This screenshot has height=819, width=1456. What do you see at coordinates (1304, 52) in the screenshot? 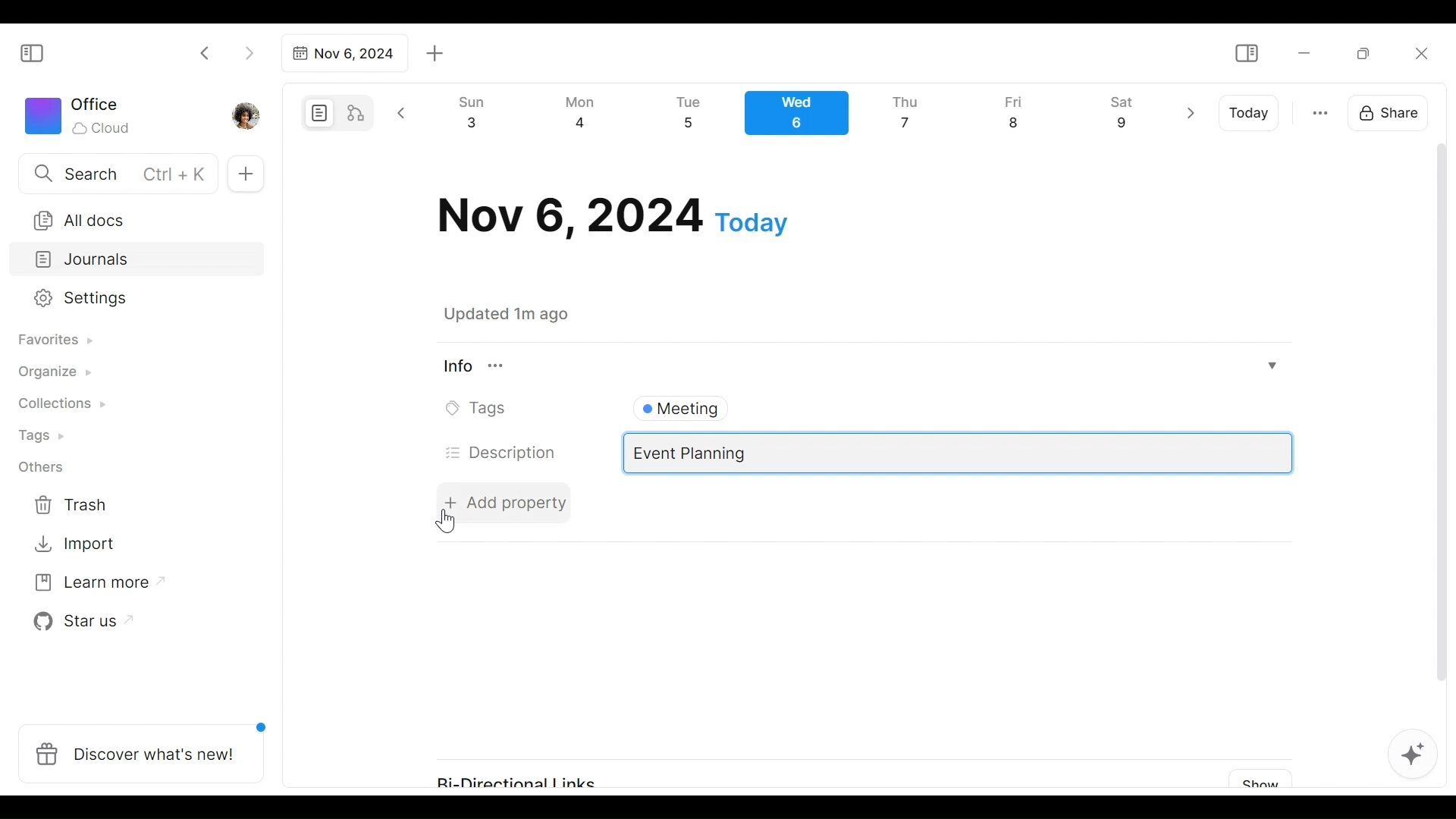
I see `Minimize` at bounding box center [1304, 52].